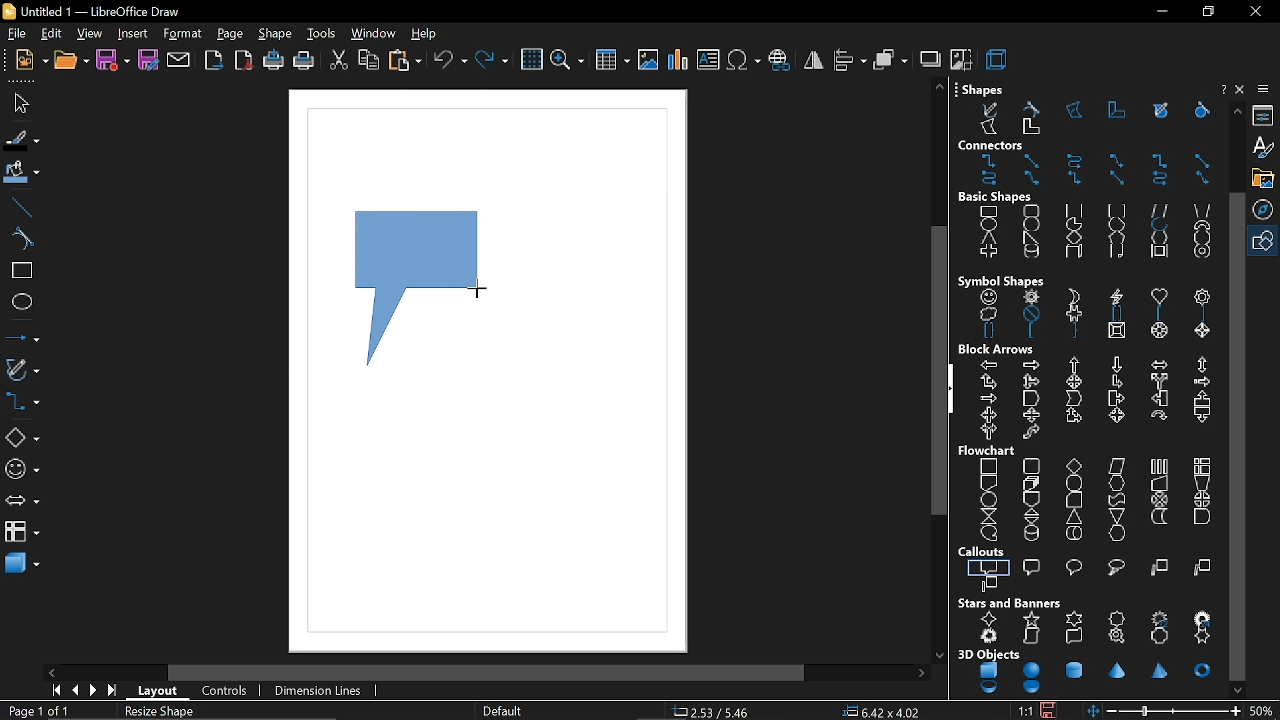 The width and height of the screenshot is (1280, 720). Describe the element at coordinates (1203, 617) in the screenshot. I see `24 point star` at that location.